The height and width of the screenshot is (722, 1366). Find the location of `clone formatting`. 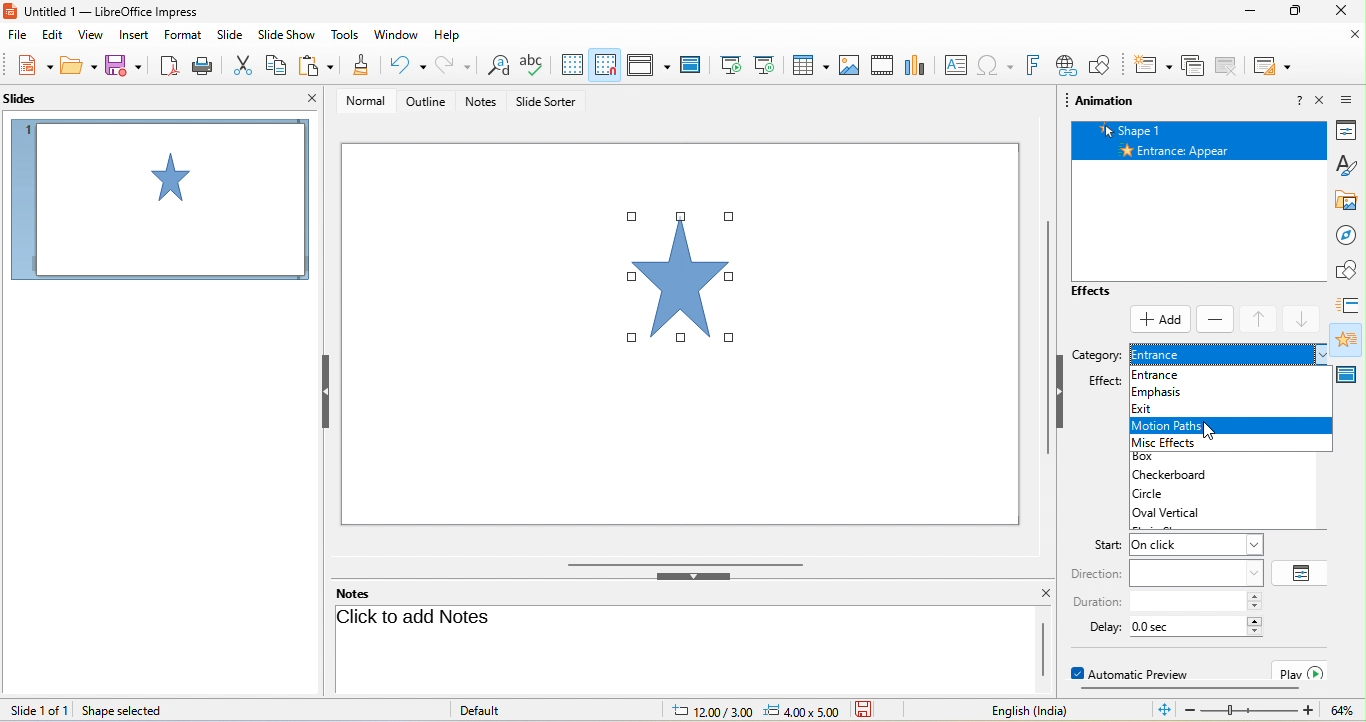

clone formatting is located at coordinates (360, 64).